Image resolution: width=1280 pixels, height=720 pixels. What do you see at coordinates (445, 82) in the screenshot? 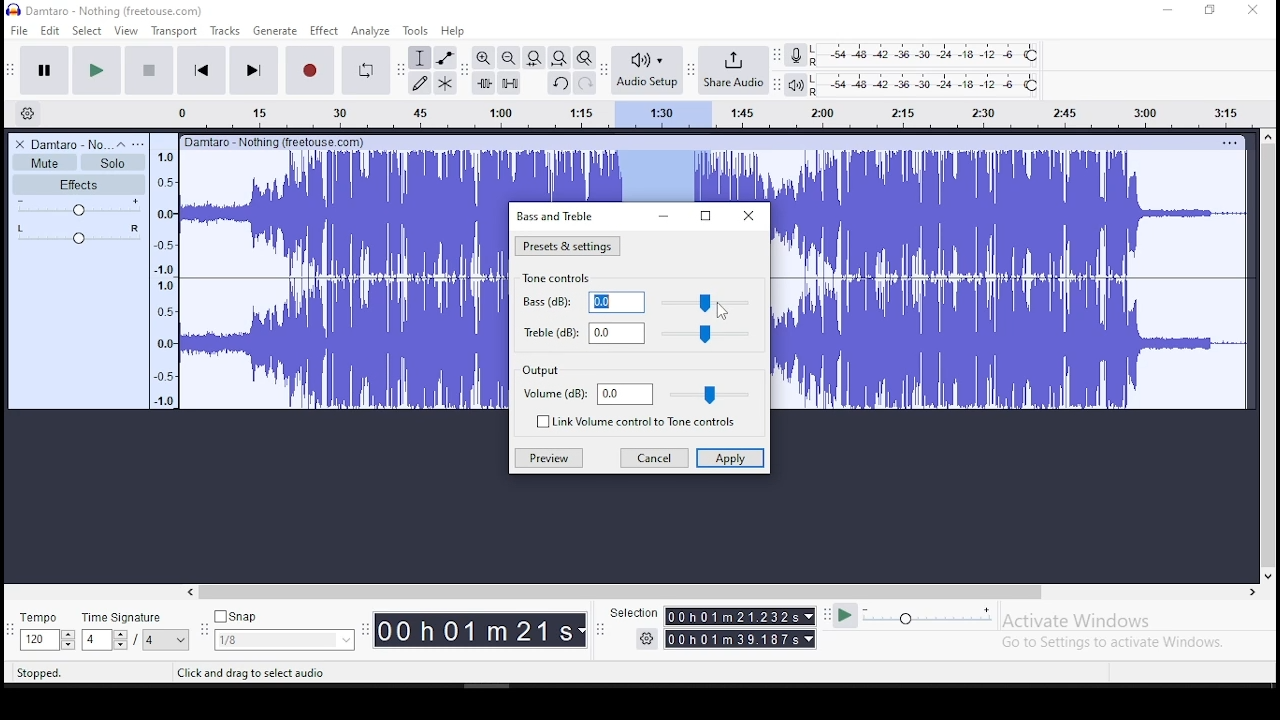
I see `multi tool` at bounding box center [445, 82].